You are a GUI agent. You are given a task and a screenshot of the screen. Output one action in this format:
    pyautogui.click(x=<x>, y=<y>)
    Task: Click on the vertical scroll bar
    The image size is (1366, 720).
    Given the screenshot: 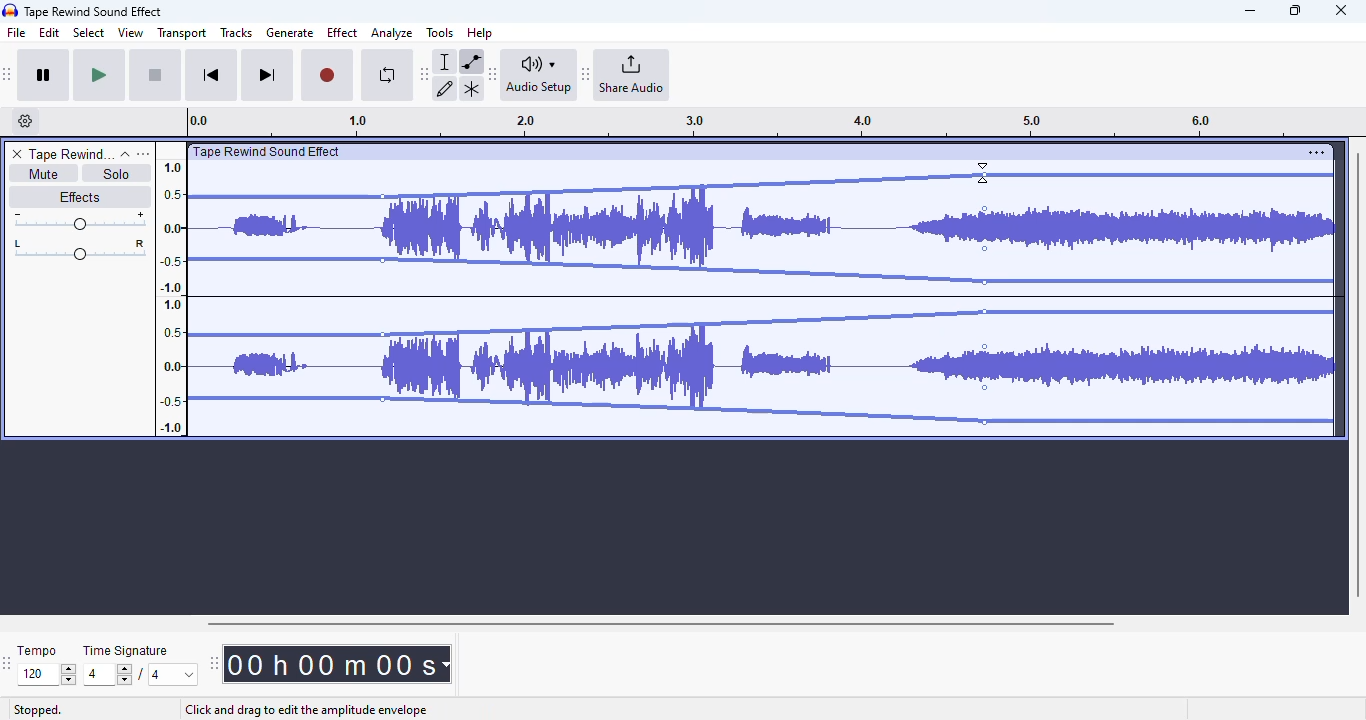 What is the action you would take?
    pyautogui.click(x=1357, y=372)
    